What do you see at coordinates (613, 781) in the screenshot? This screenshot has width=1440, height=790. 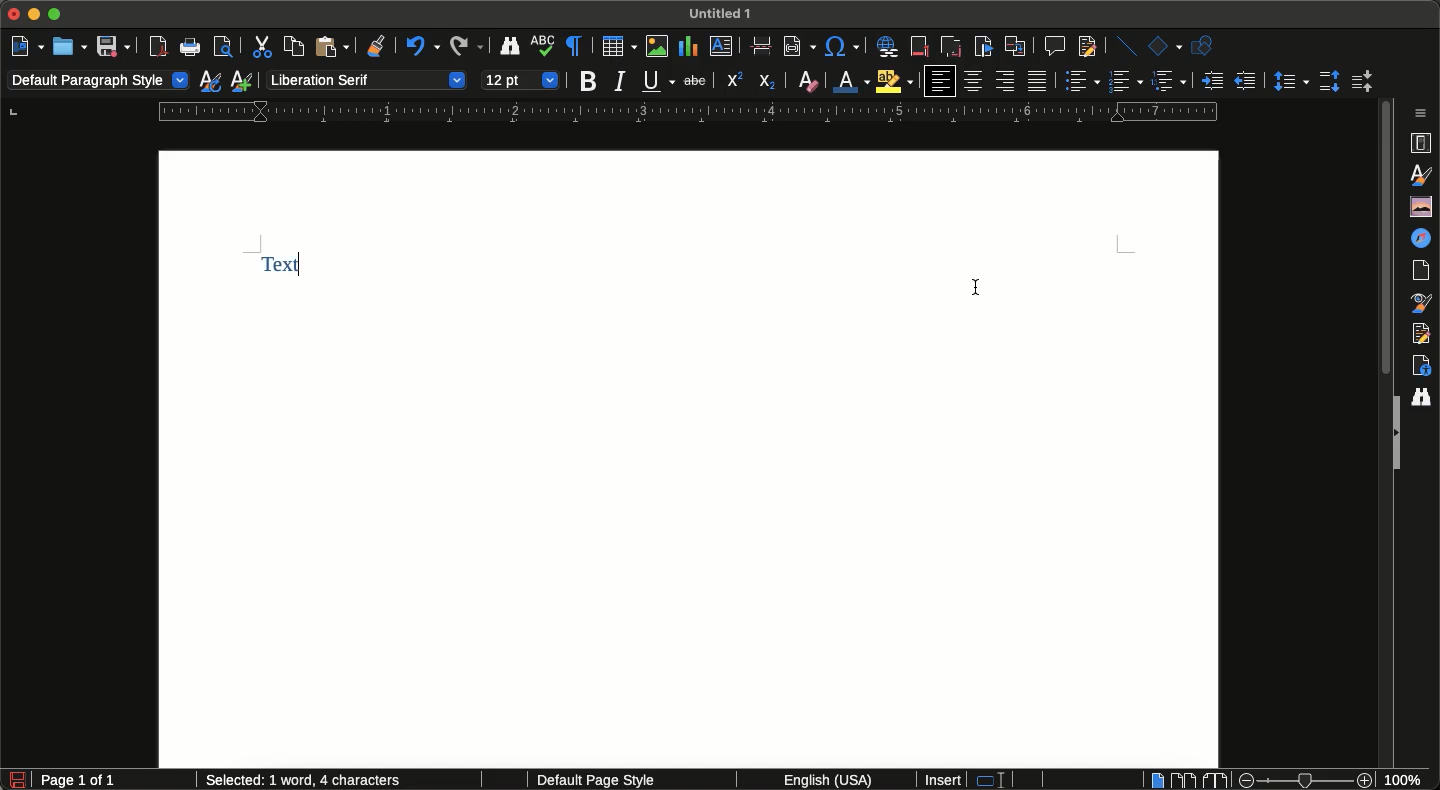 I see `Default page style` at bounding box center [613, 781].